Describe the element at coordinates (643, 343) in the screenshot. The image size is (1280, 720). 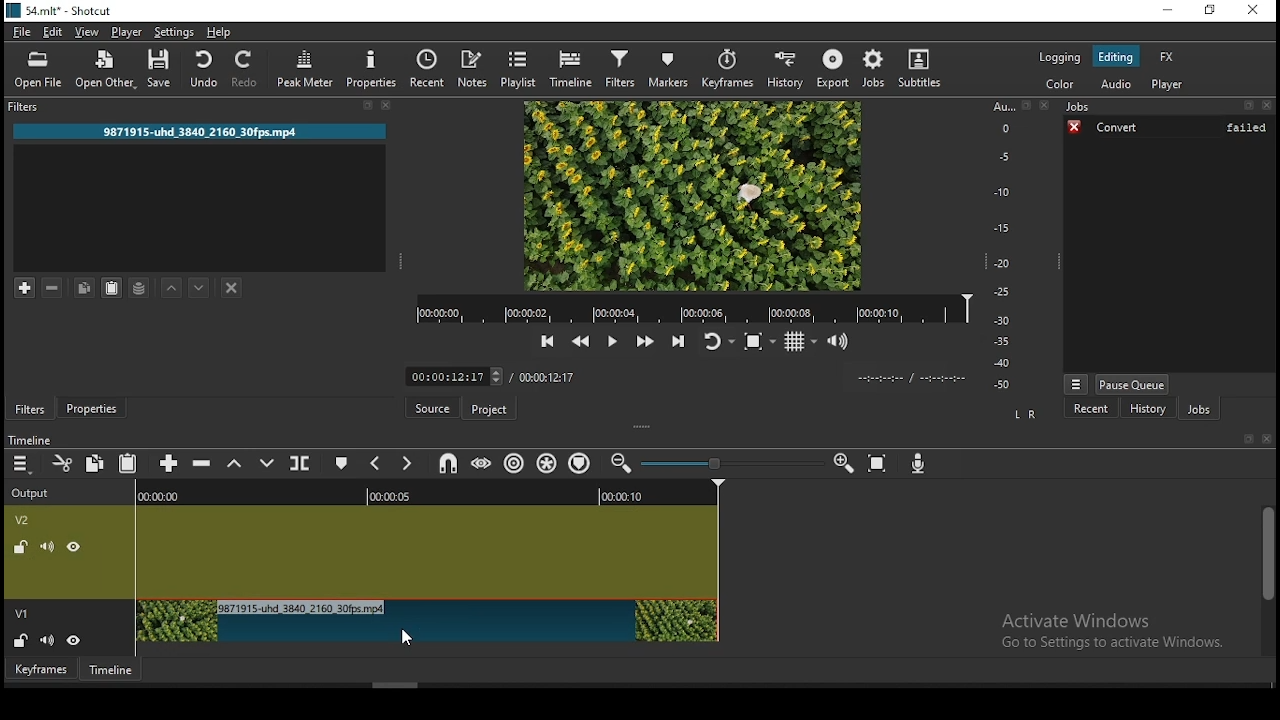
I see `play quickly forwards` at that location.